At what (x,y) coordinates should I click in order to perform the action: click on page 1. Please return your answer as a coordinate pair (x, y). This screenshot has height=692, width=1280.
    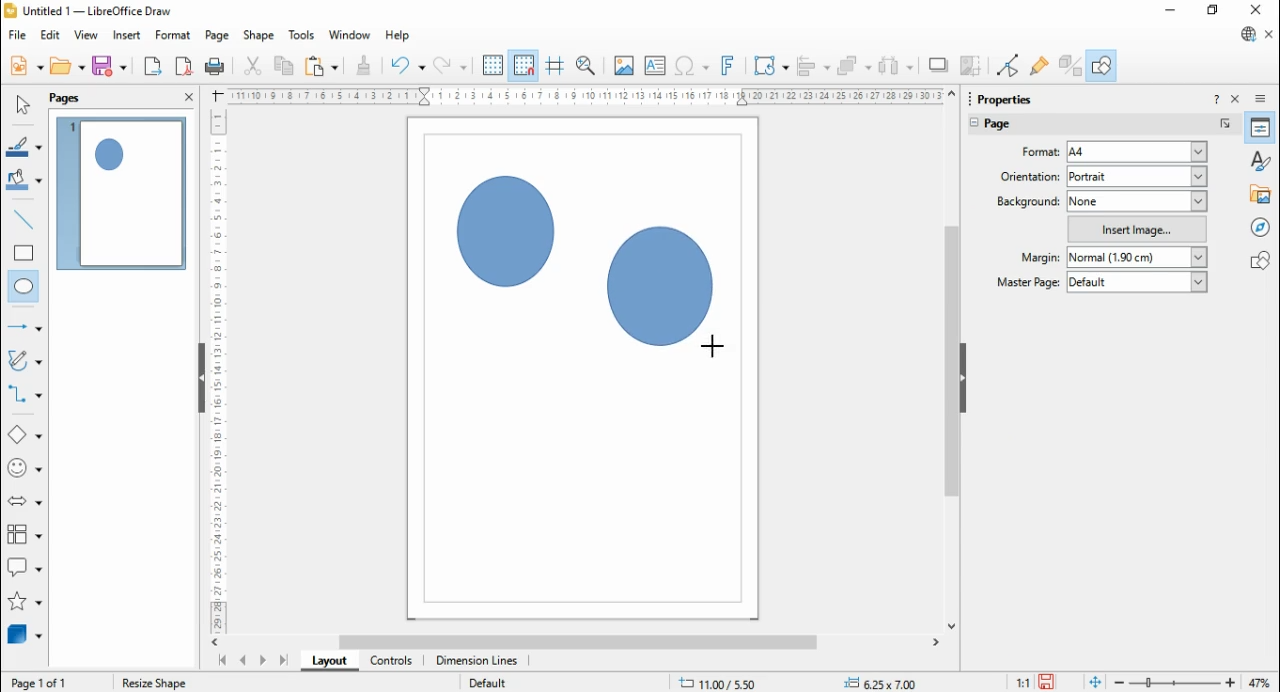
    Looking at the image, I should click on (123, 193).